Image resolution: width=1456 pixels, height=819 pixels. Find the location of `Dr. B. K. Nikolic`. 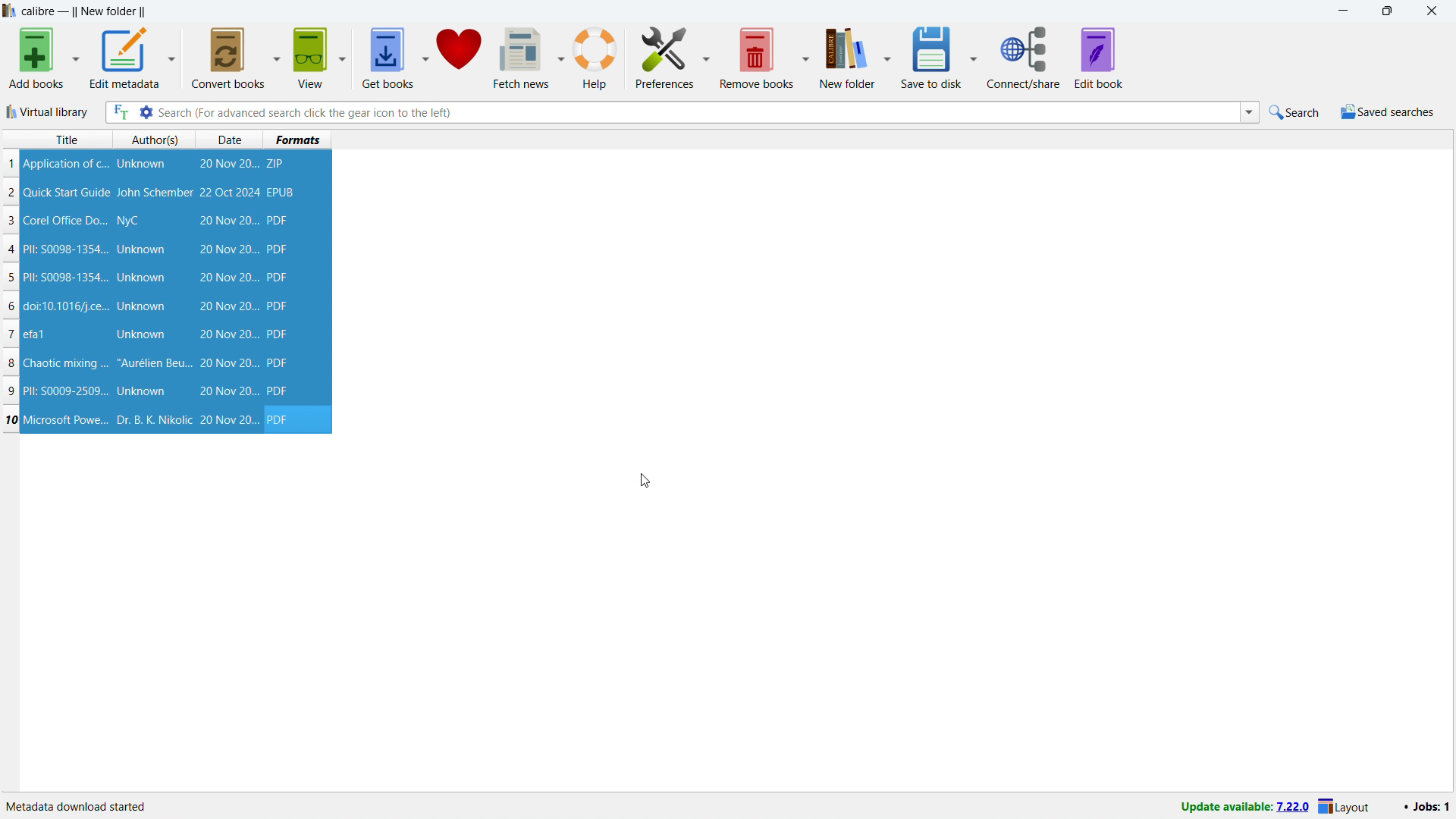

Dr. B. K. Nikolic is located at coordinates (152, 420).